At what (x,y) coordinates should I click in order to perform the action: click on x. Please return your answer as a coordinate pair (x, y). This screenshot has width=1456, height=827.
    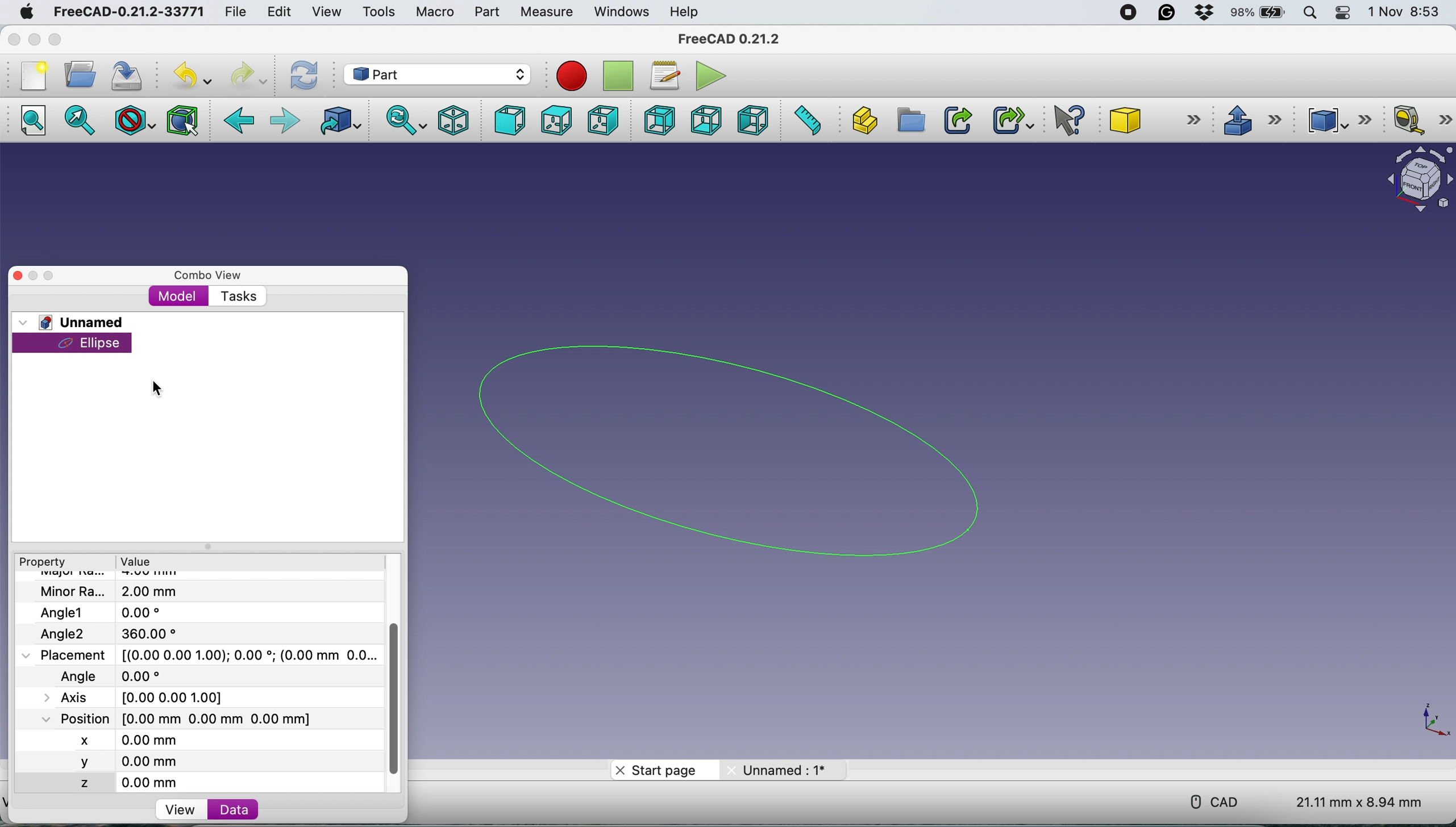
    Looking at the image, I should click on (101, 738).